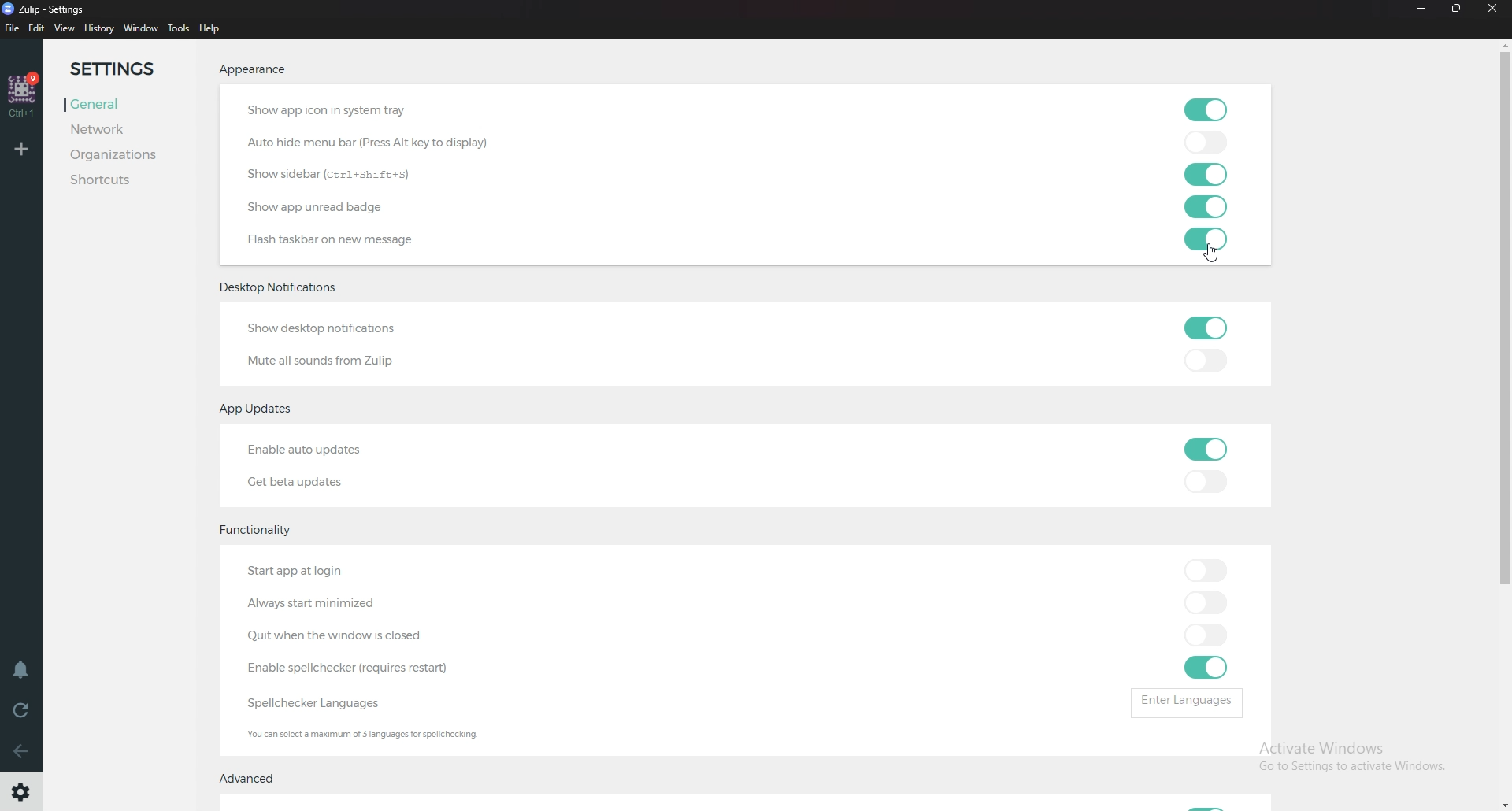 The height and width of the screenshot is (811, 1512). What do you see at coordinates (120, 102) in the screenshot?
I see `General` at bounding box center [120, 102].